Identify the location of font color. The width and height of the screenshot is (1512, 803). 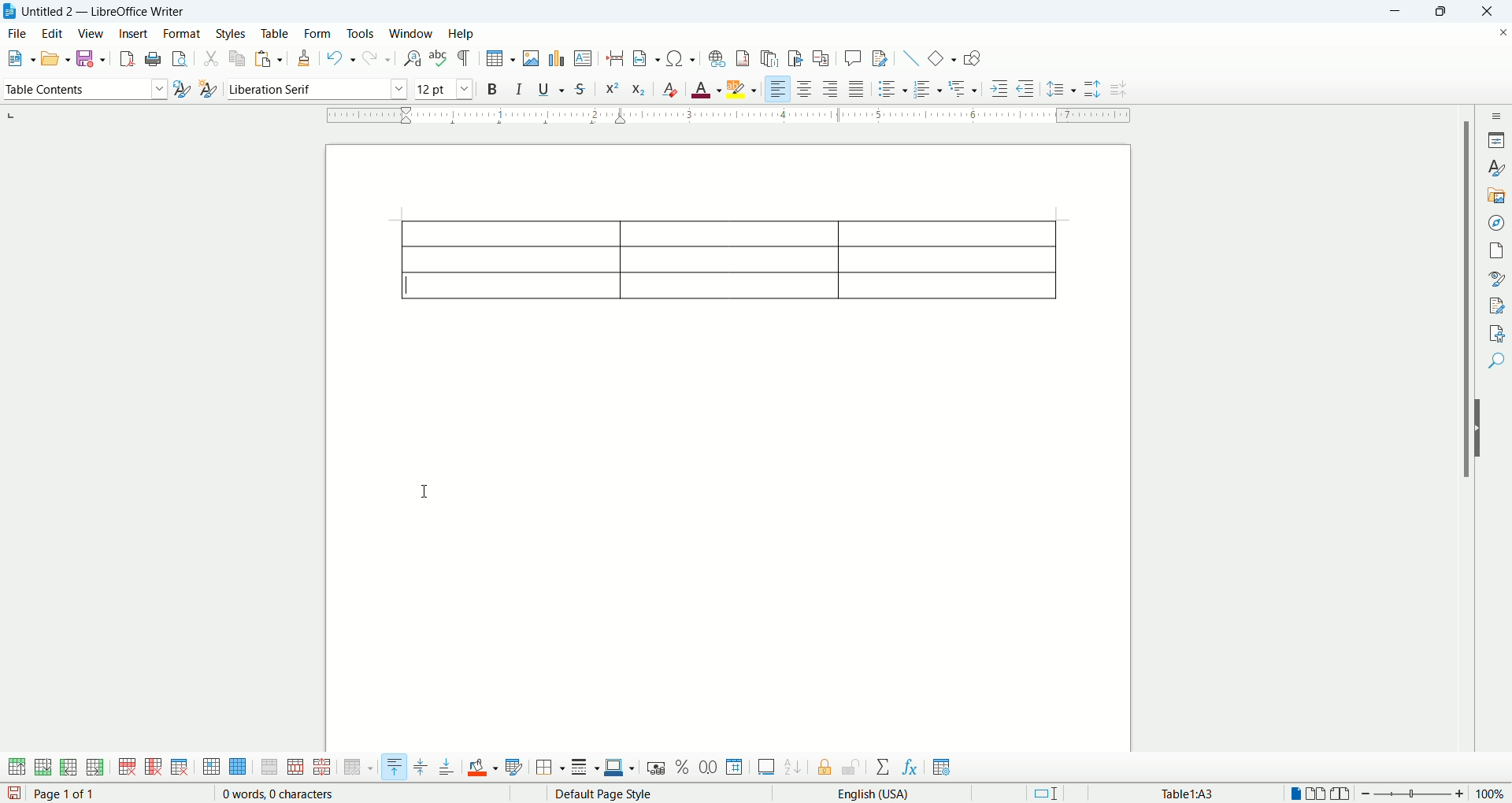
(706, 90).